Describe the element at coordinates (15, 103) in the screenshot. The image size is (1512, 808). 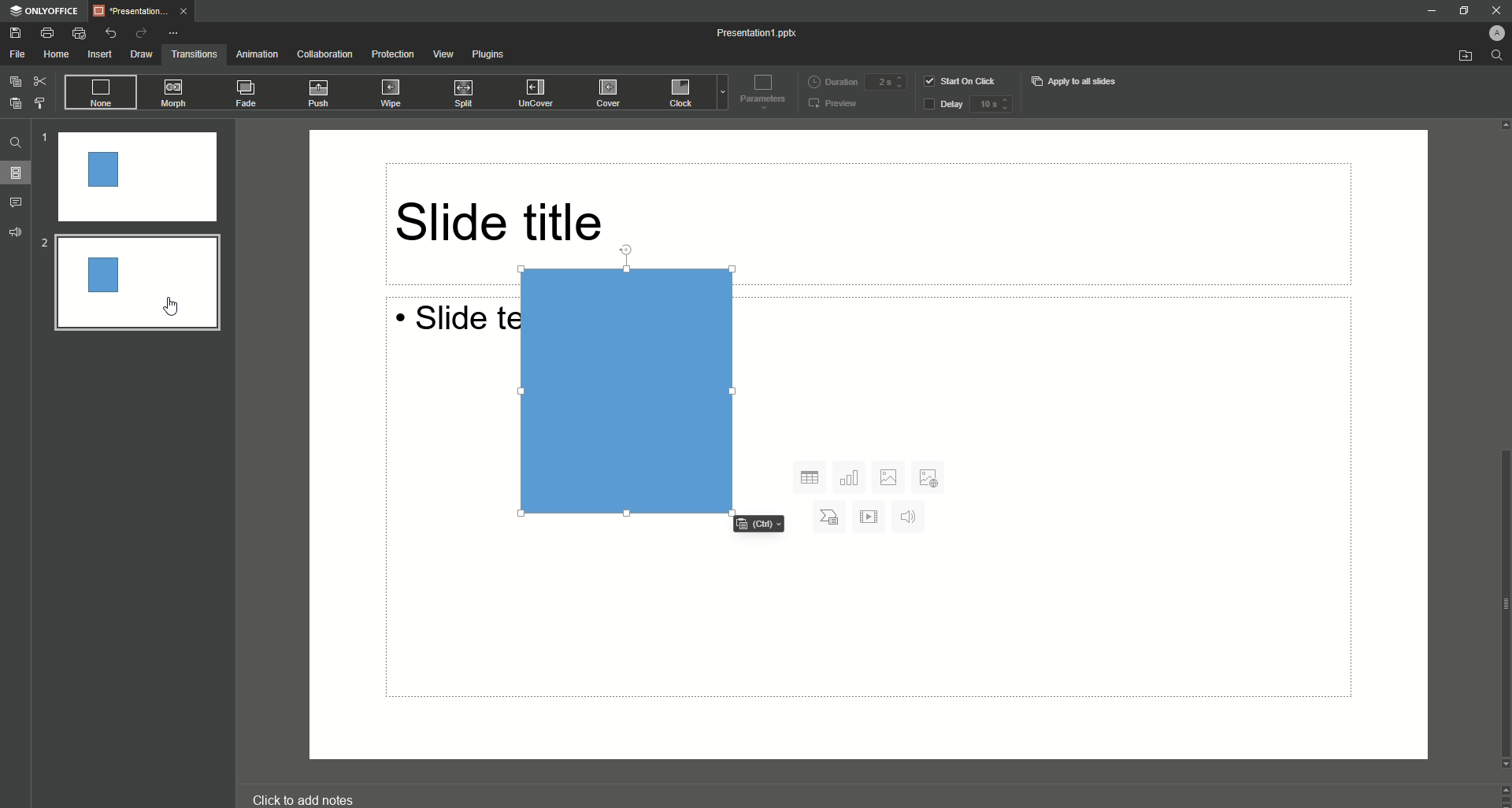
I see `Paste` at that location.